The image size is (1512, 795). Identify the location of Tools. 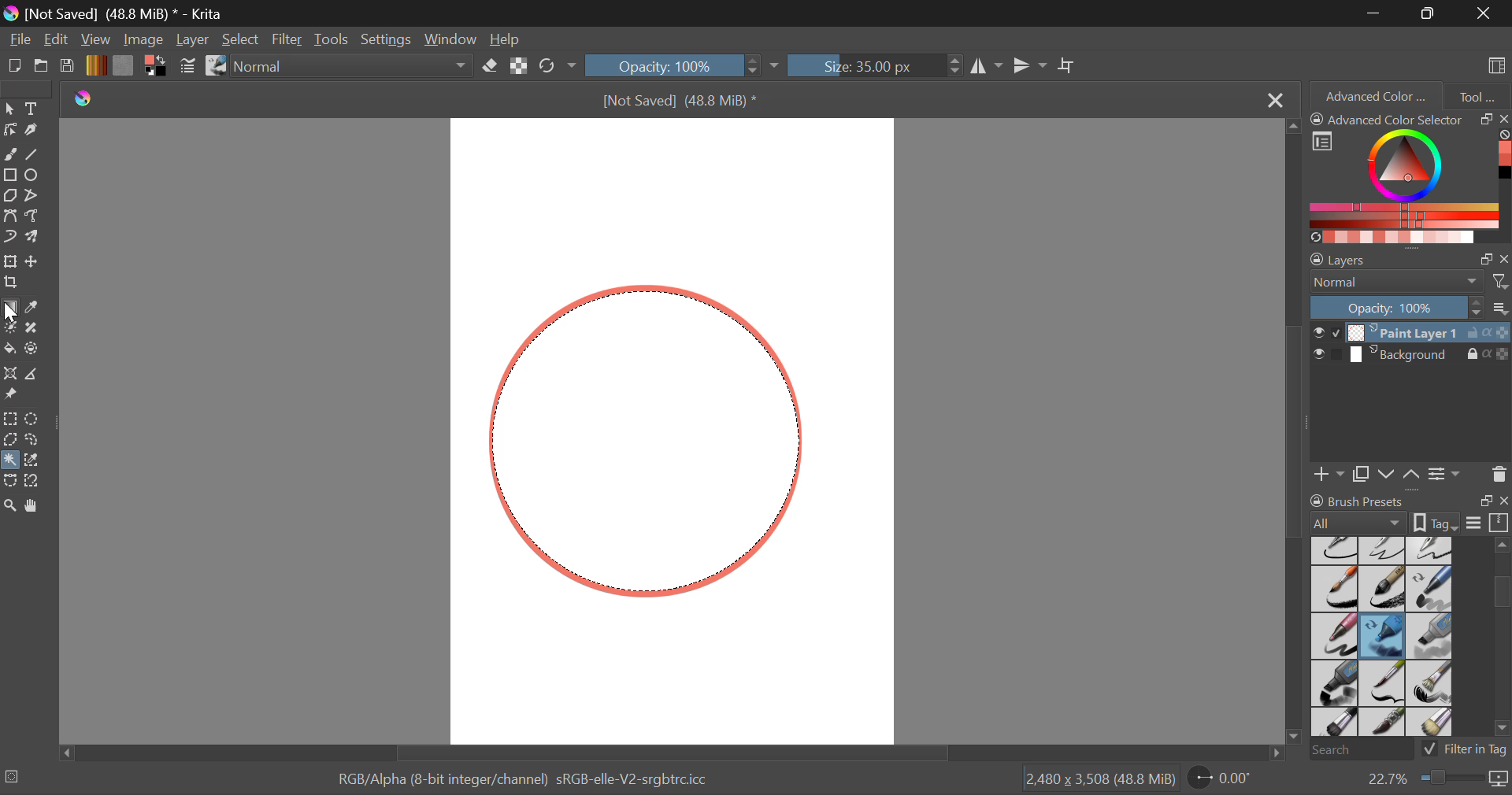
(332, 40).